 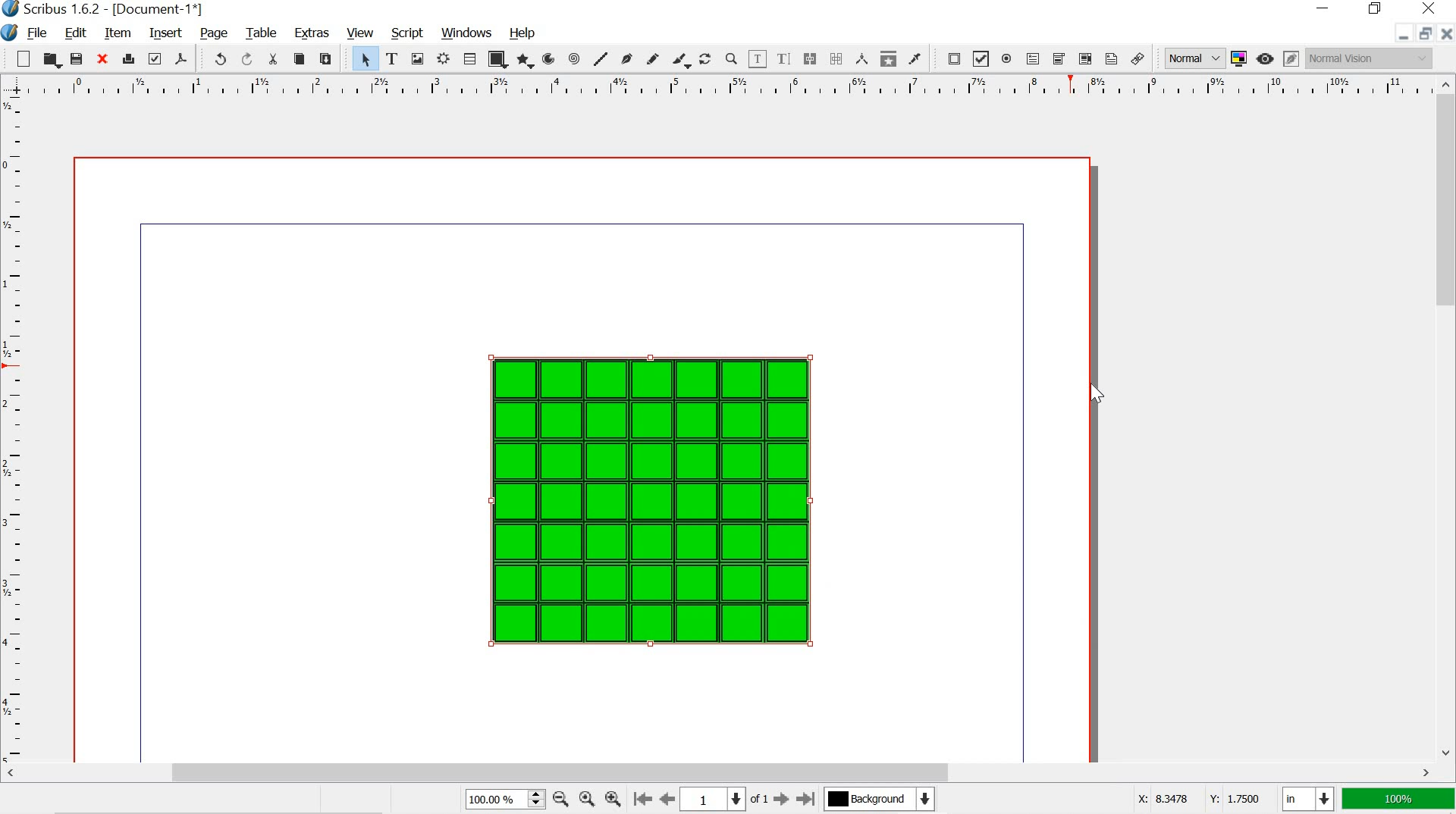 I want to click on shape, so click(x=500, y=59).